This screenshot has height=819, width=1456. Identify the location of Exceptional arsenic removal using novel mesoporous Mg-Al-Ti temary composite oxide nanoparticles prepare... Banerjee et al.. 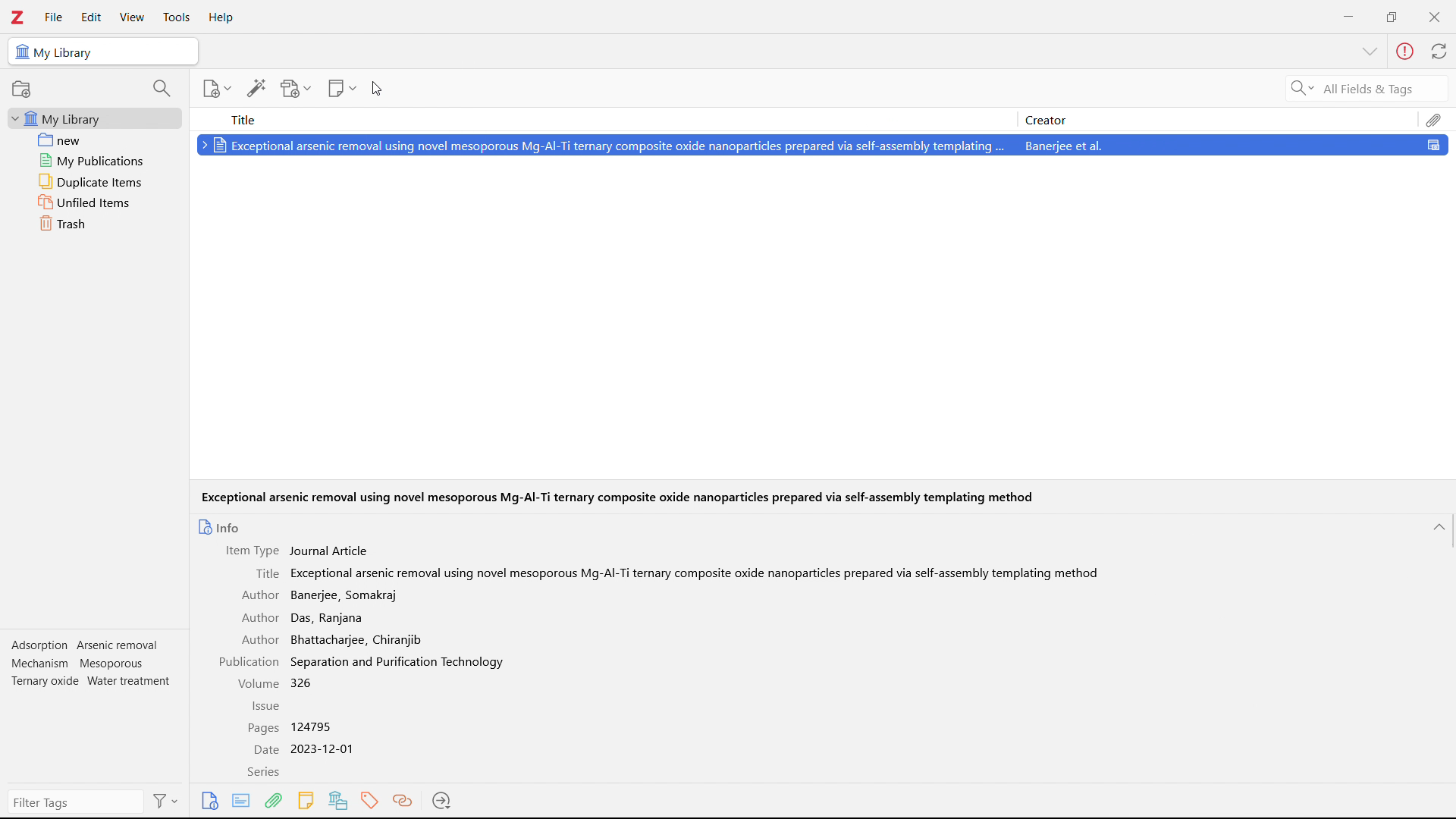
(821, 147).